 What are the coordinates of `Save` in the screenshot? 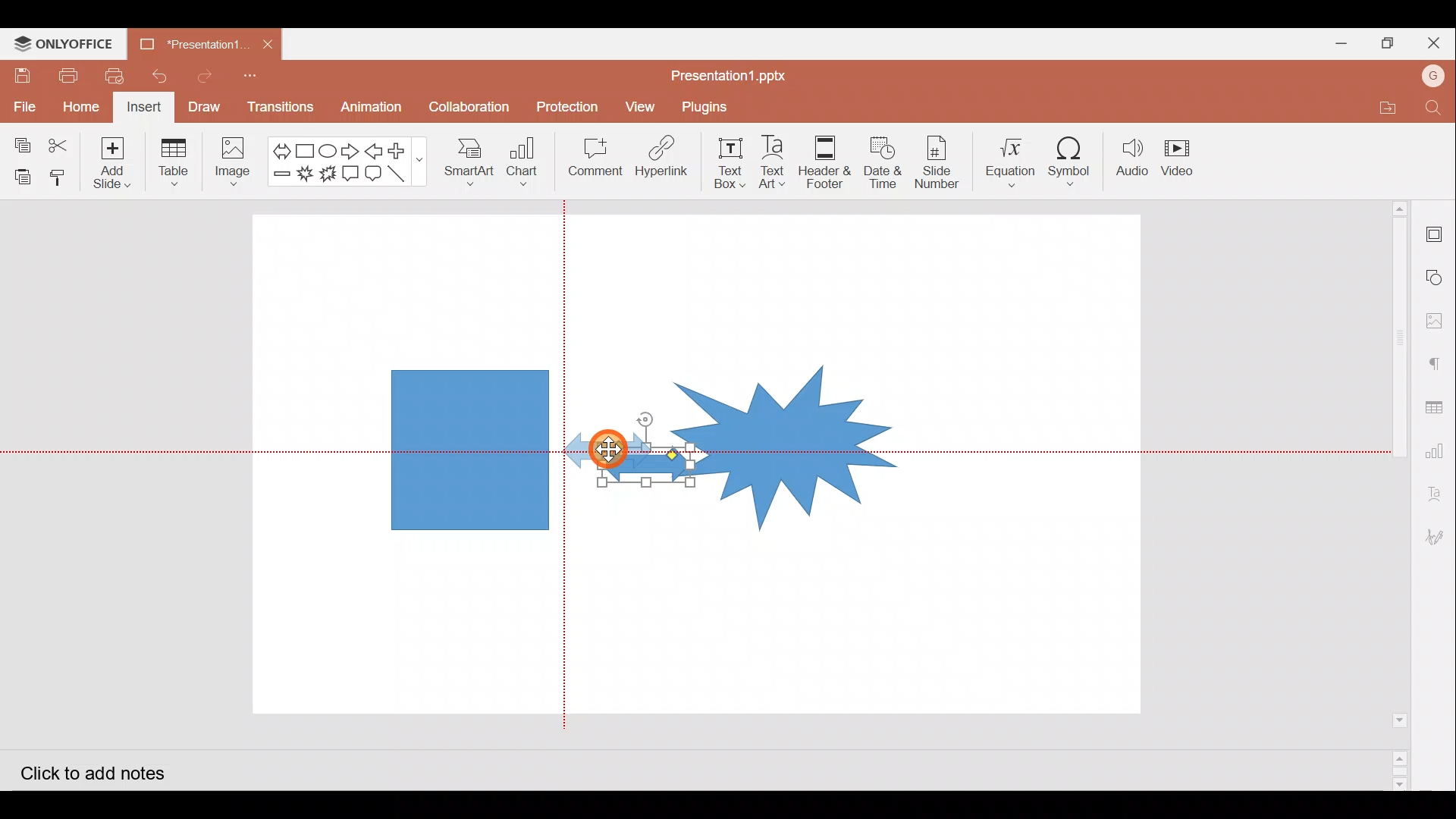 It's located at (21, 75).